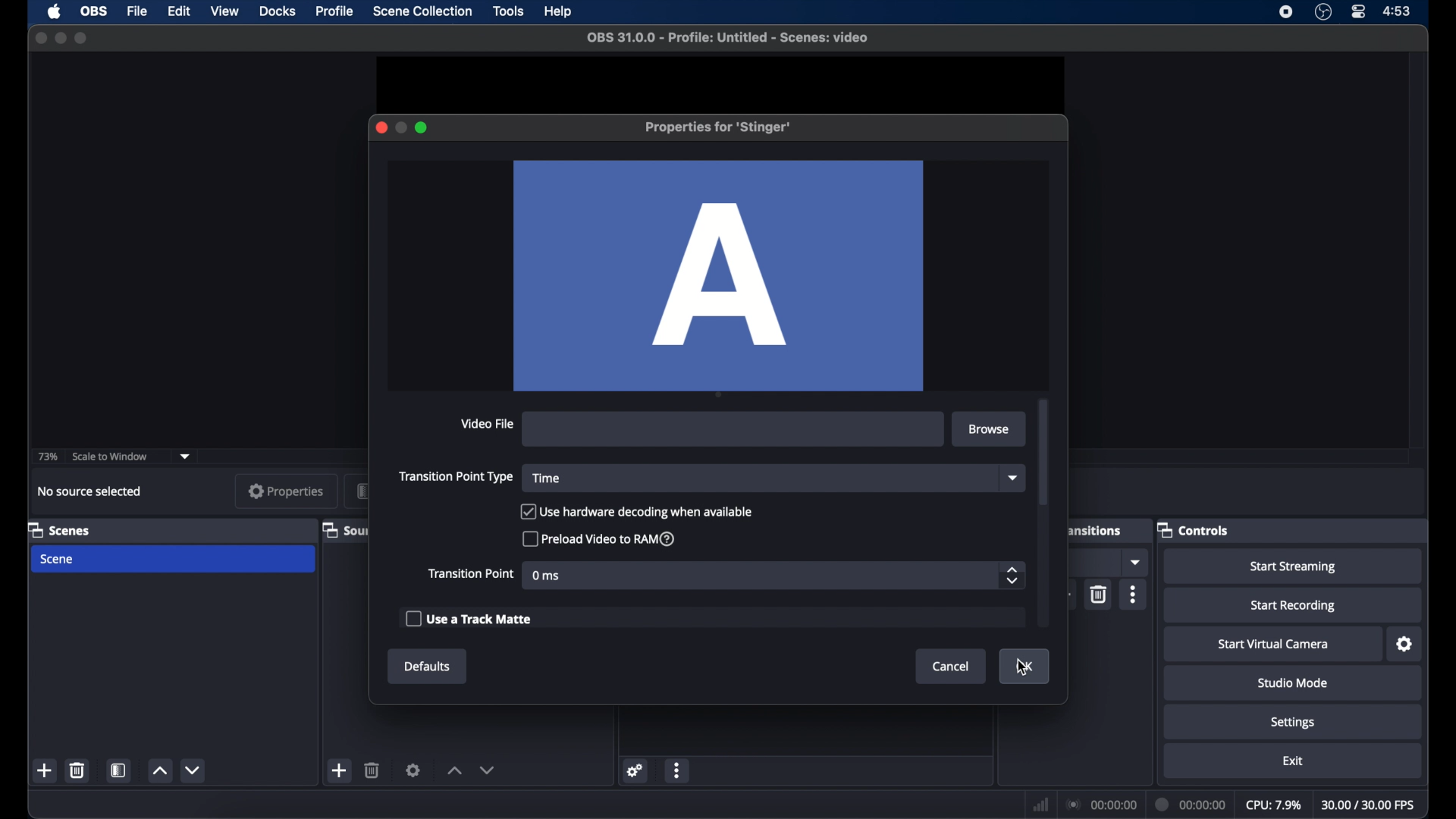  I want to click on transition point, so click(470, 573).